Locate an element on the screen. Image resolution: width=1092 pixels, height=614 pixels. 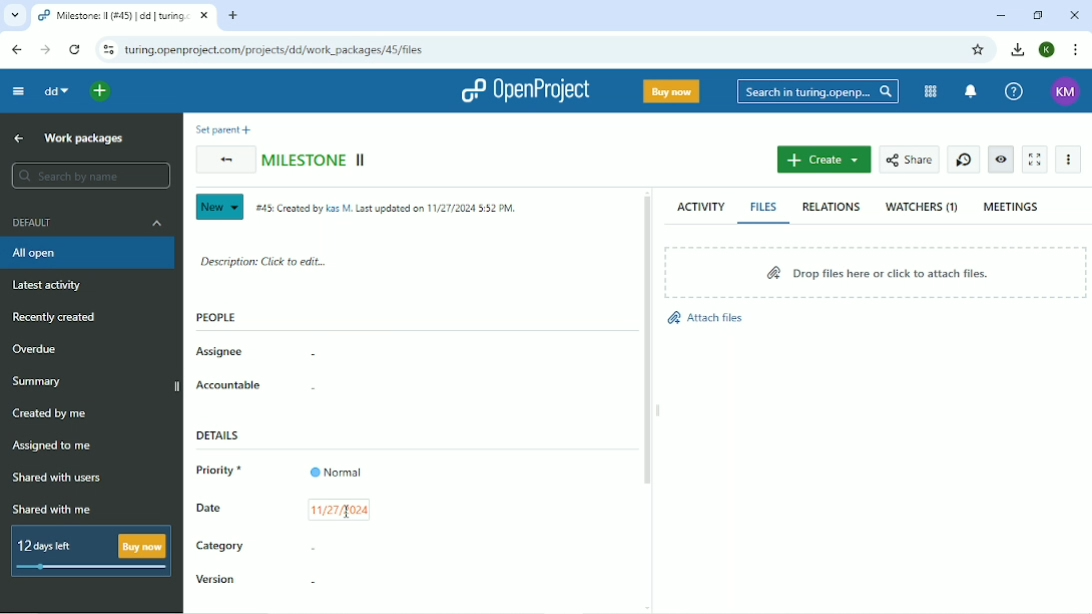
Watchers 1 is located at coordinates (922, 207).